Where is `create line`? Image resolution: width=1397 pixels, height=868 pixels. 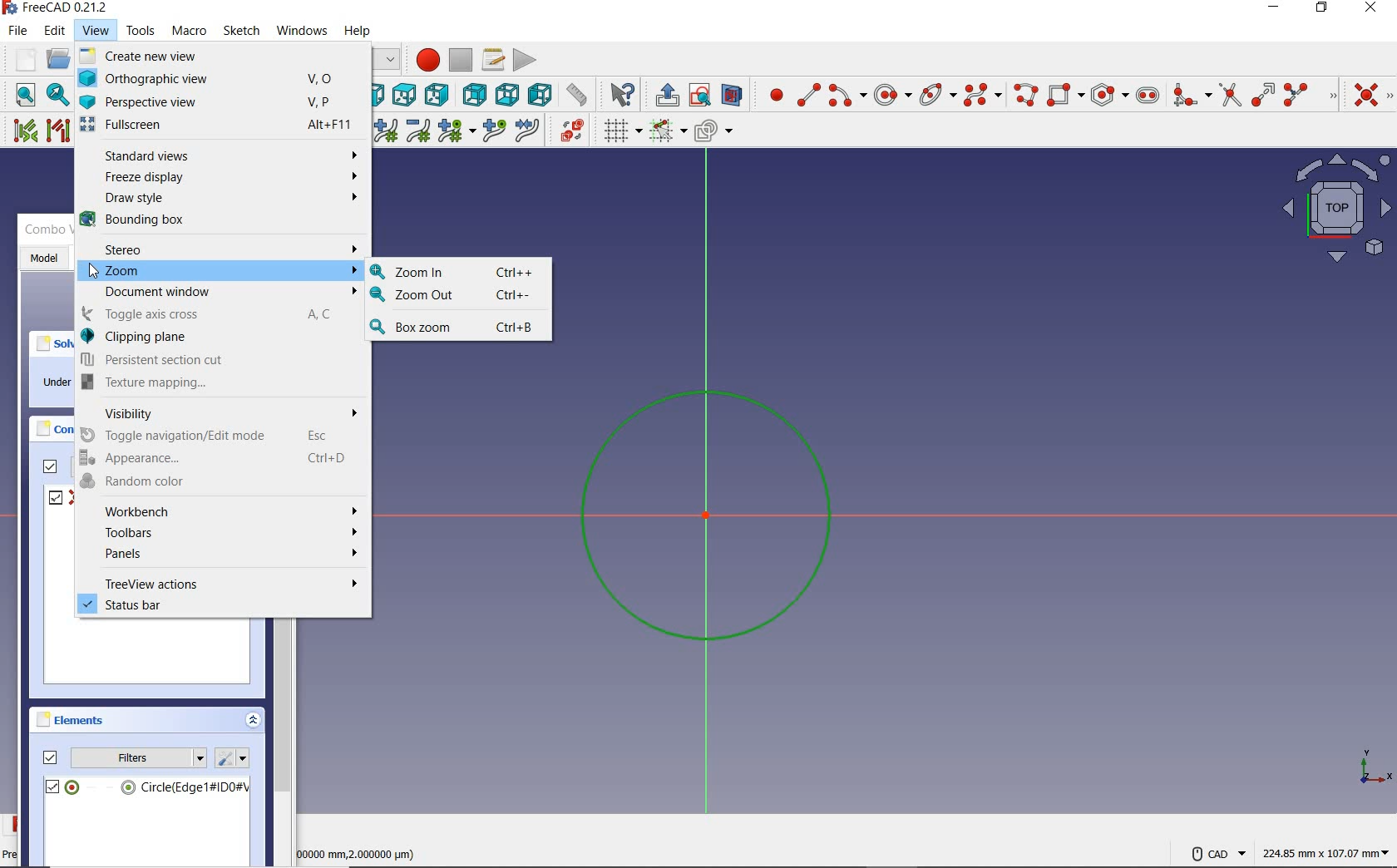 create line is located at coordinates (807, 96).